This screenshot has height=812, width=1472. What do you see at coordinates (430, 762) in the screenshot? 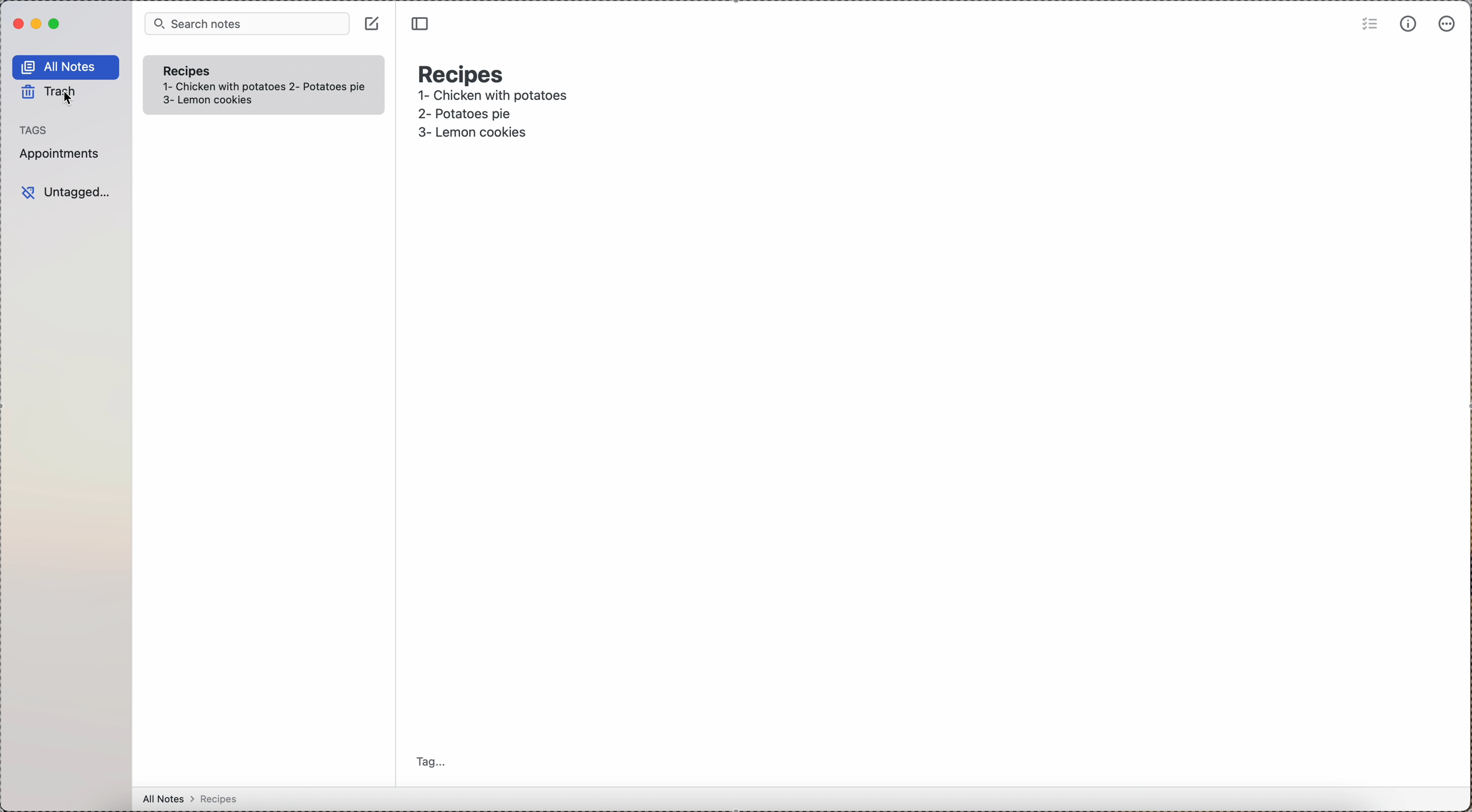
I see `tag` at bounding box center [430, 762].